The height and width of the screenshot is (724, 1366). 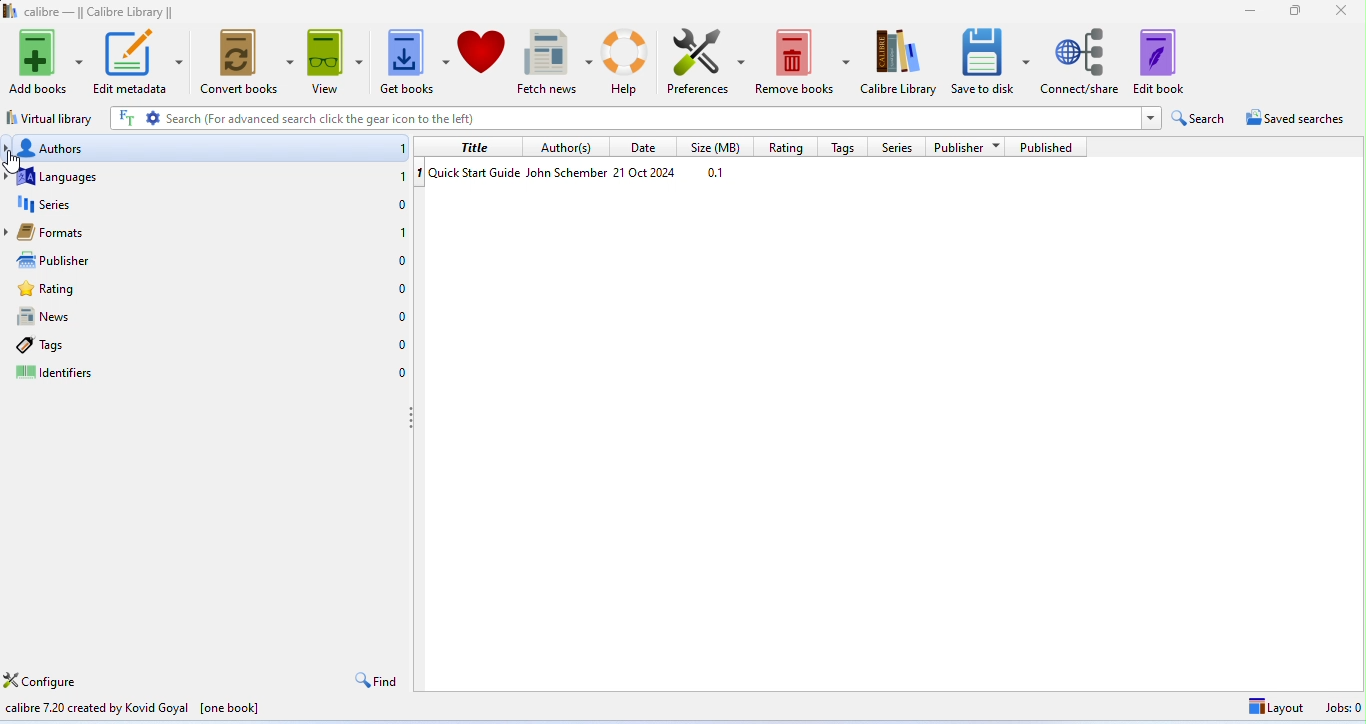 I want to click on author, so click(x=567, y=172).